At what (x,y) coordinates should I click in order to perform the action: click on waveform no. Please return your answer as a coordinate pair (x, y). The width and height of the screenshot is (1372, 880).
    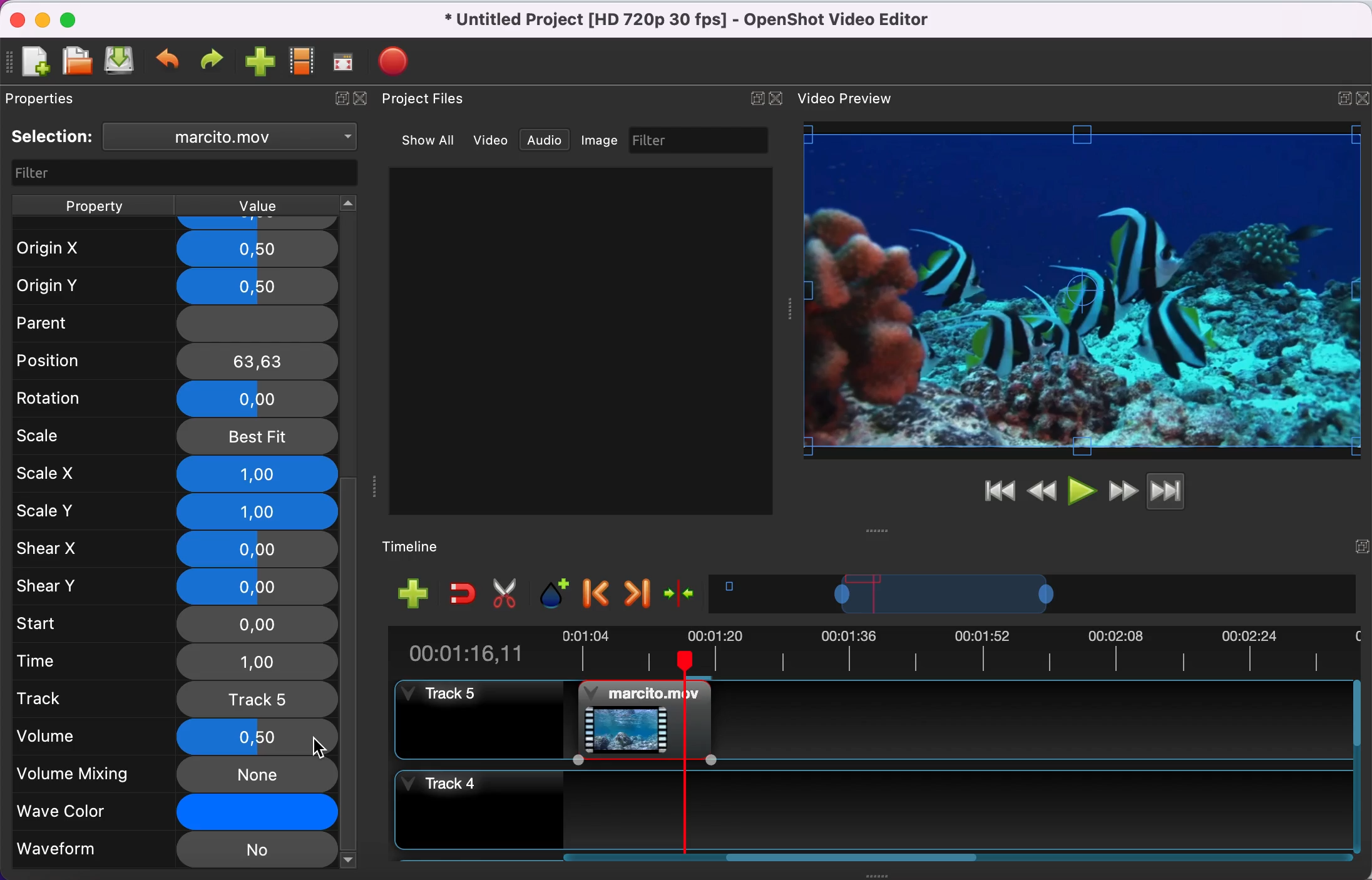
    Looking at the image, I should click on (174, 851).